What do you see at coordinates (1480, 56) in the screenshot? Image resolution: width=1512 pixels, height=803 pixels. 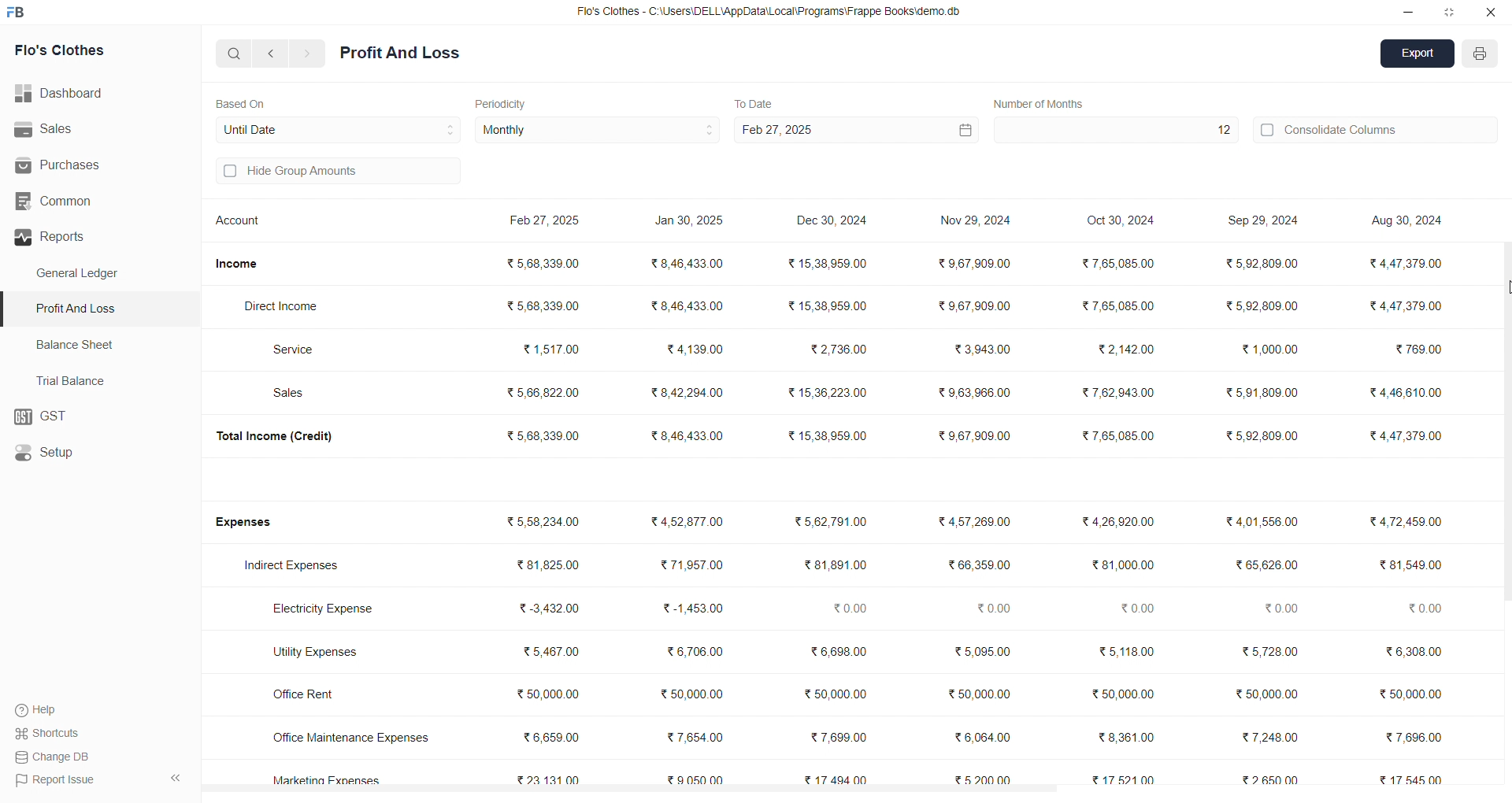 I see `PRINT` at bounding box center [1480, 56].